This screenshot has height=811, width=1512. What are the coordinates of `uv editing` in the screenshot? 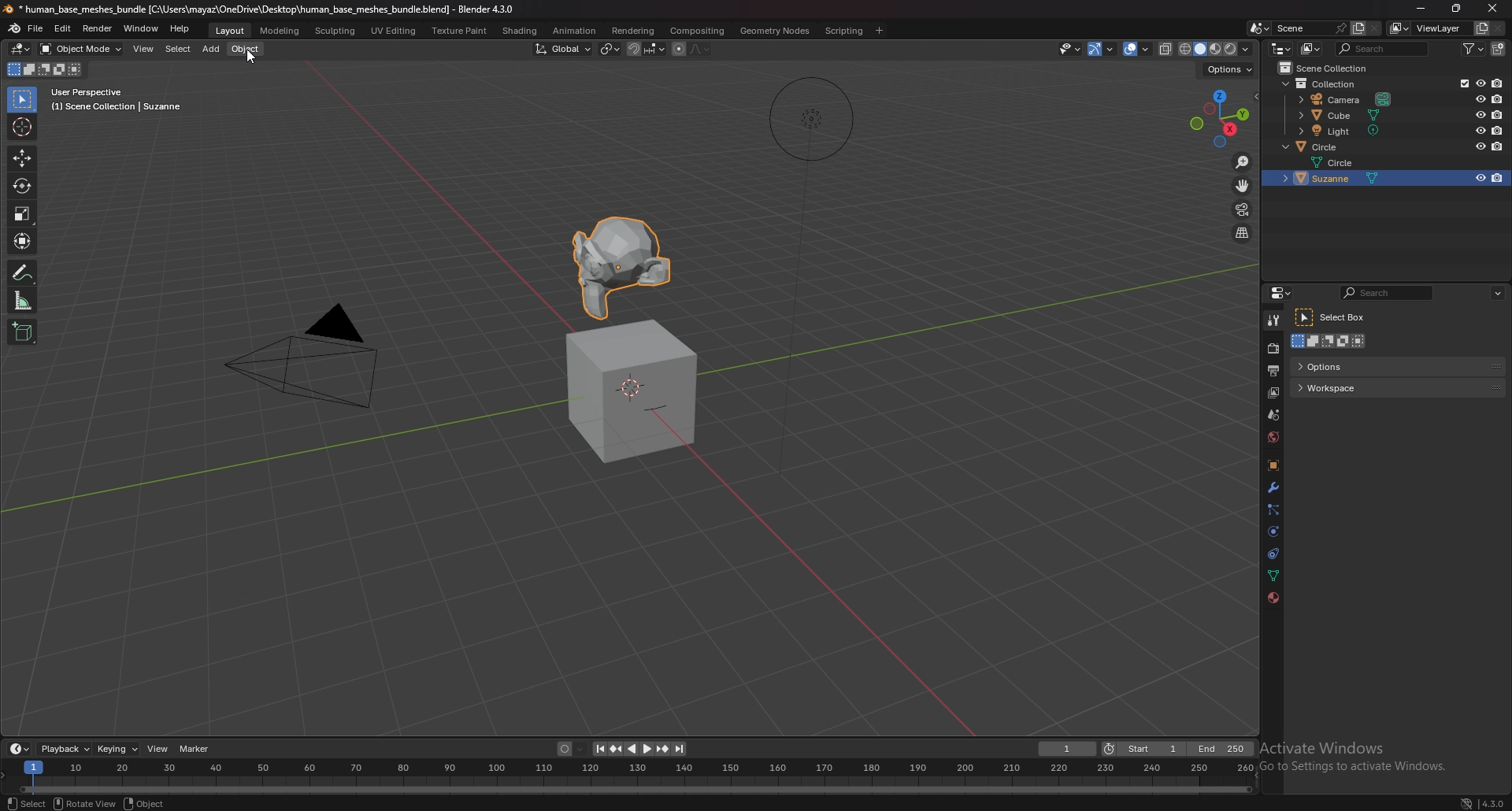 It's located at (395, 30).